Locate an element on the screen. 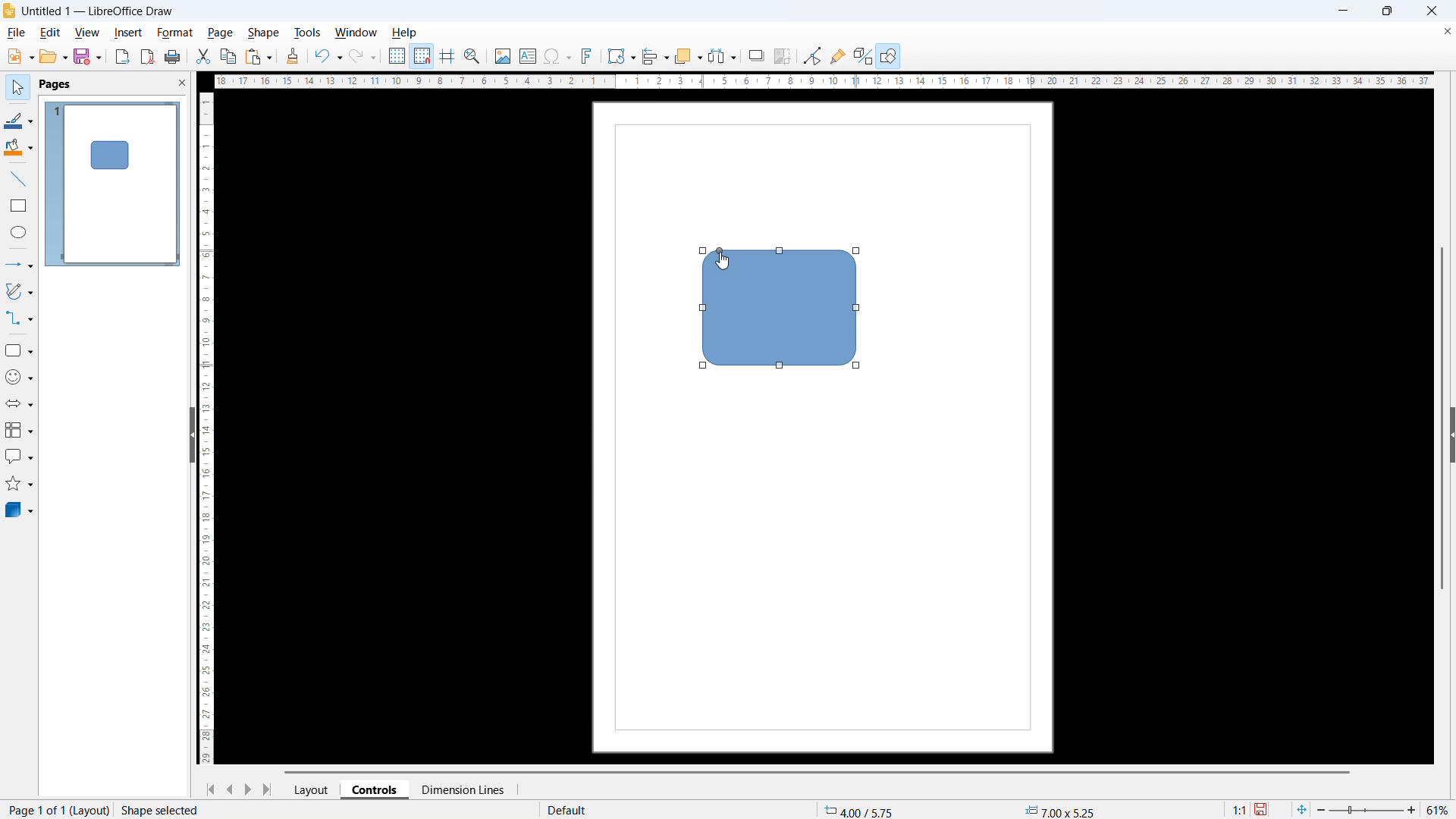 The image size is (1456, 819). Insert  is located at coordinates (128, 33).